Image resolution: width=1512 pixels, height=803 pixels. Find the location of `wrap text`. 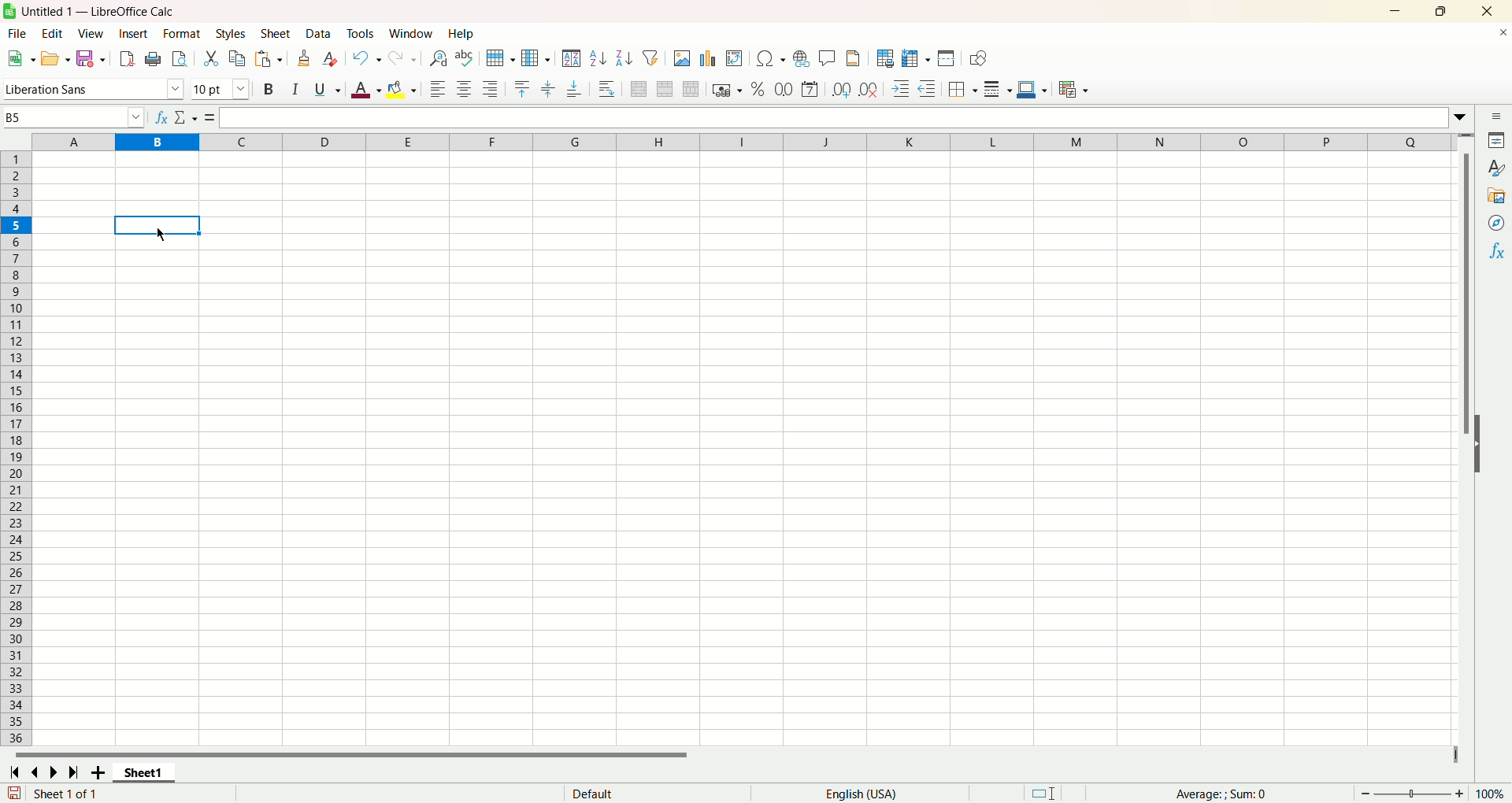

wrap text is located at coordinates (610, 88).